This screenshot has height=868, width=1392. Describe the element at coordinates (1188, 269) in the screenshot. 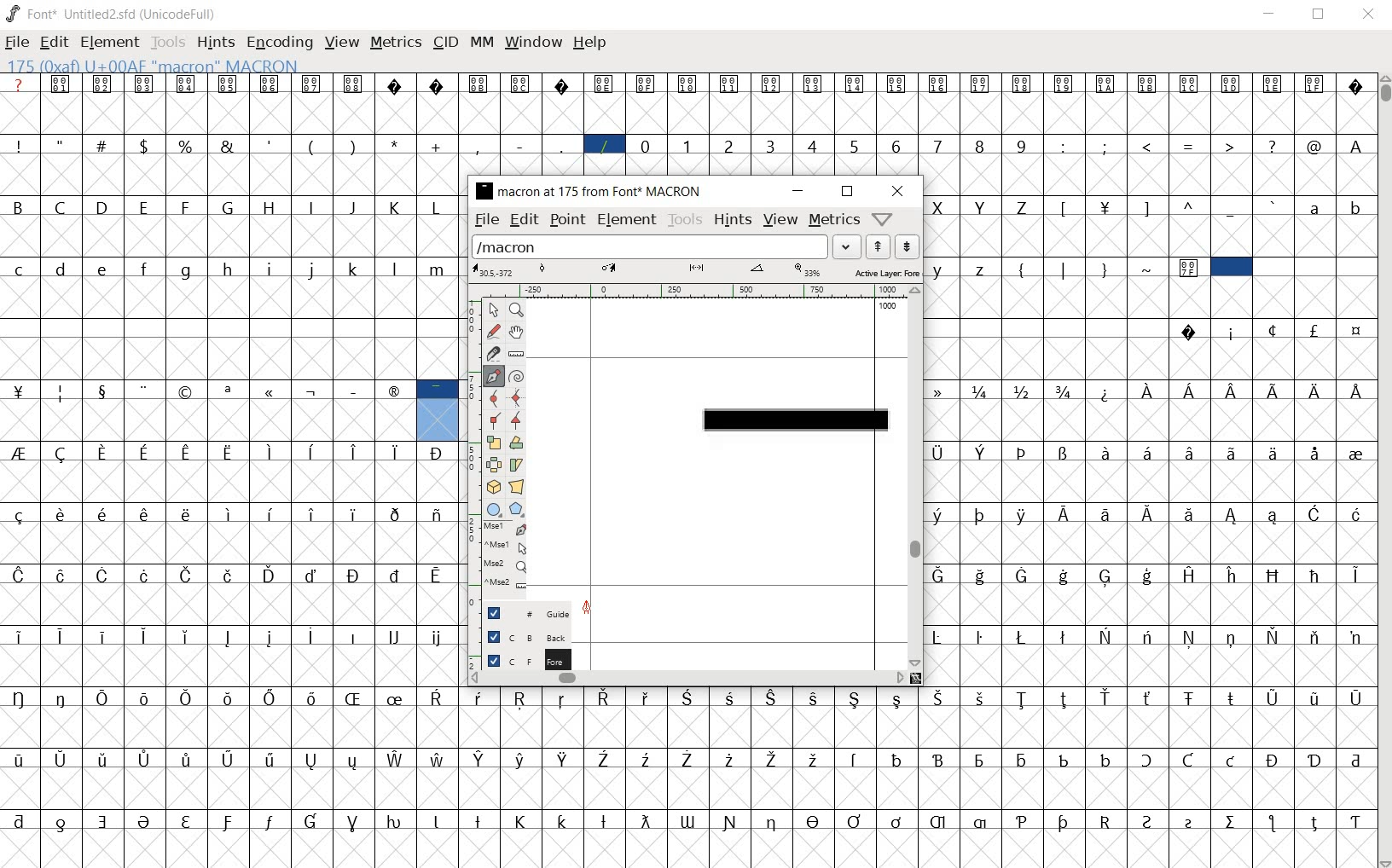

I see `Symbol` at that location.